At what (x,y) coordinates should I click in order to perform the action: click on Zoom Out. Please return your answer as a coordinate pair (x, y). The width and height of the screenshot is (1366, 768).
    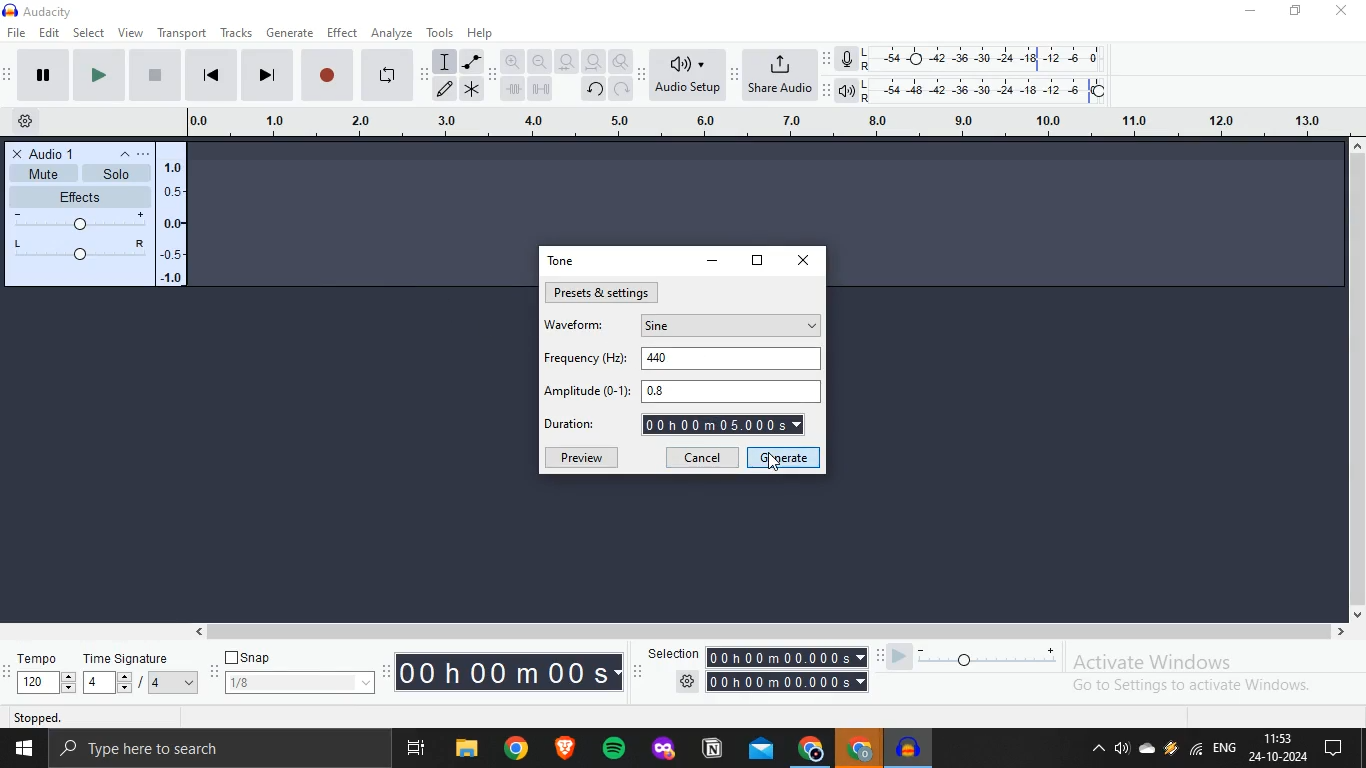
    Looking at the image, I should click on (539, 63).